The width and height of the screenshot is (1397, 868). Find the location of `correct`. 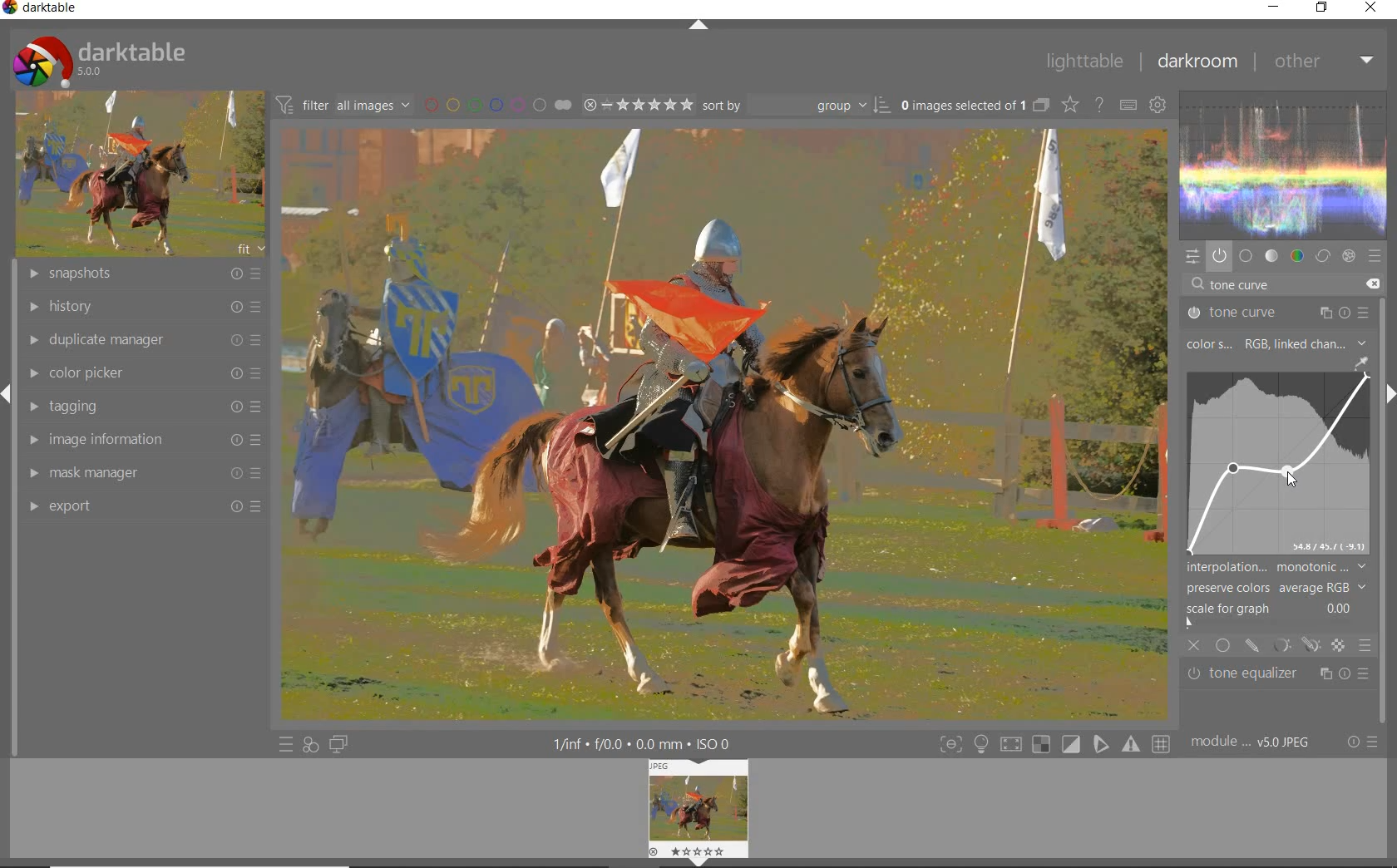

correct is located at coordinates (1323, 256).